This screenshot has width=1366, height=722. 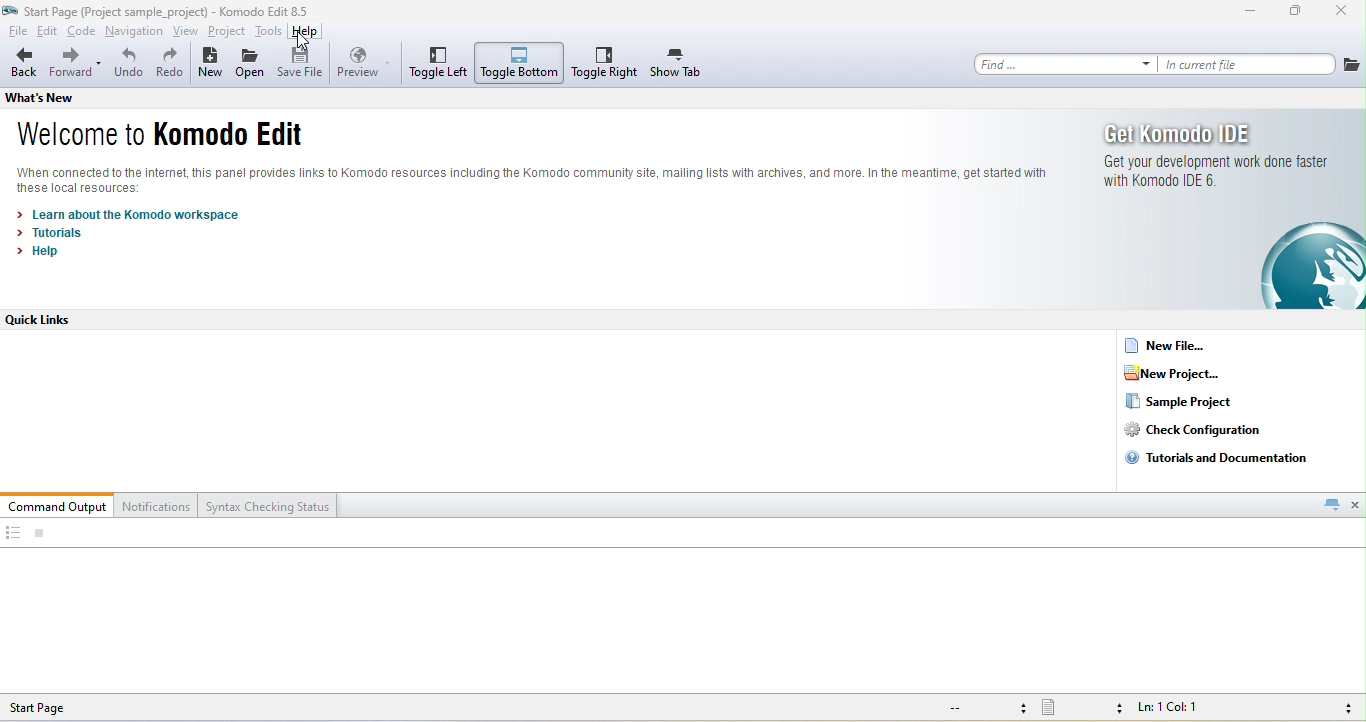 I want to click on back, so click(x=23, y=64).